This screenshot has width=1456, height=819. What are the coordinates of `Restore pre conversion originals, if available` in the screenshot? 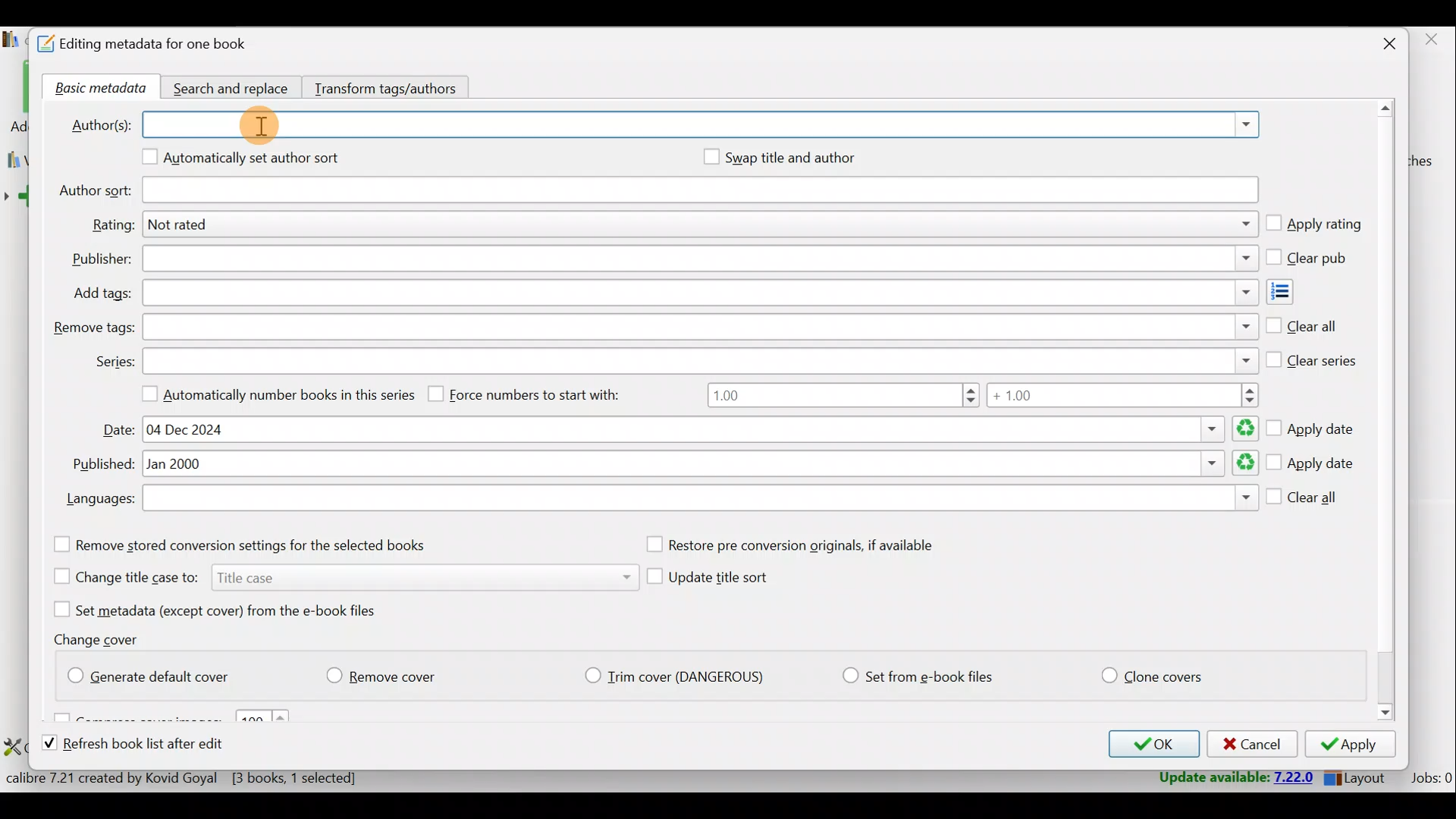 It's located at (806, 545).